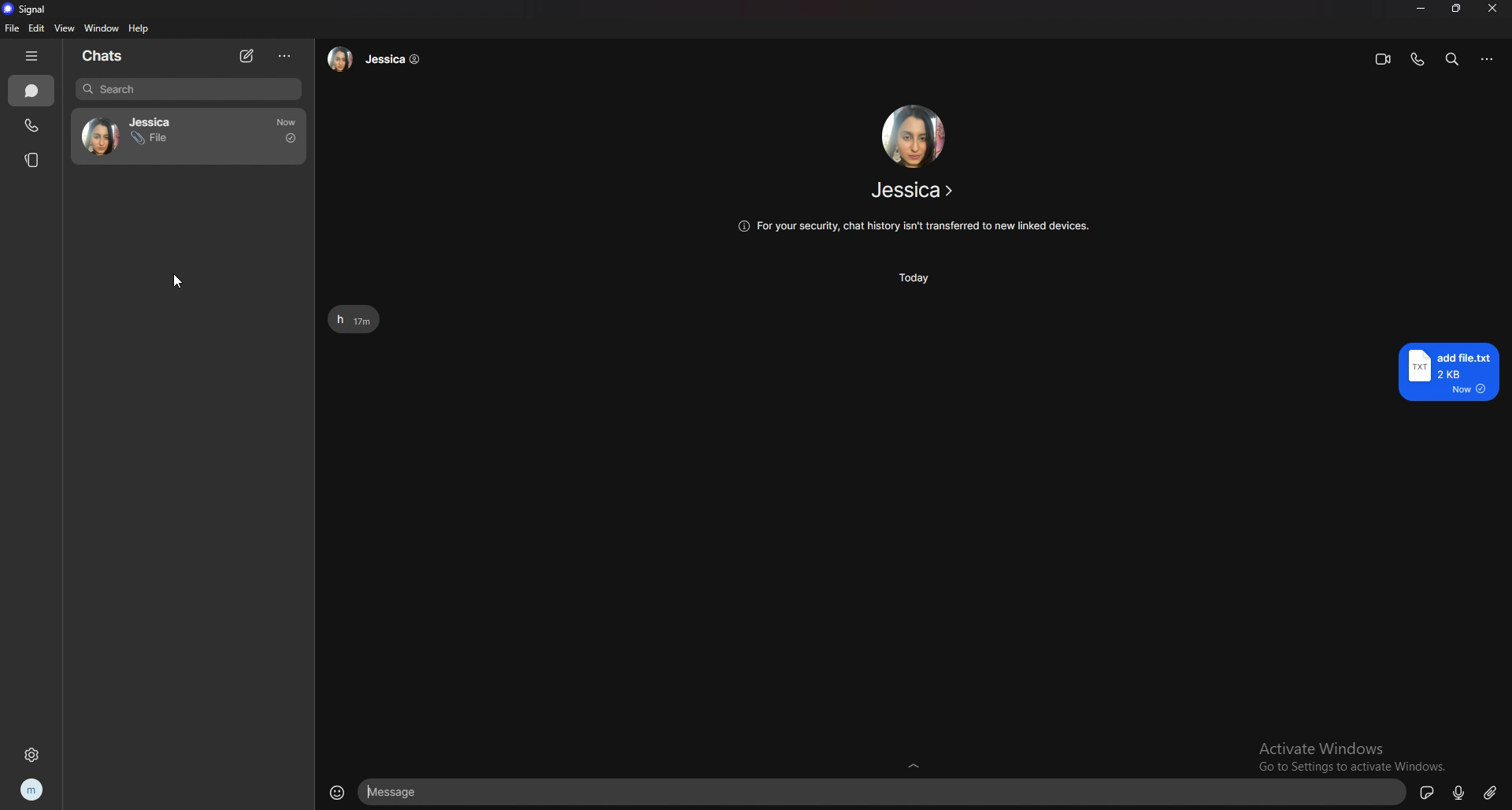  Describe the element at coordinates (284, 58) in the screenshot. I see `options` at that location.